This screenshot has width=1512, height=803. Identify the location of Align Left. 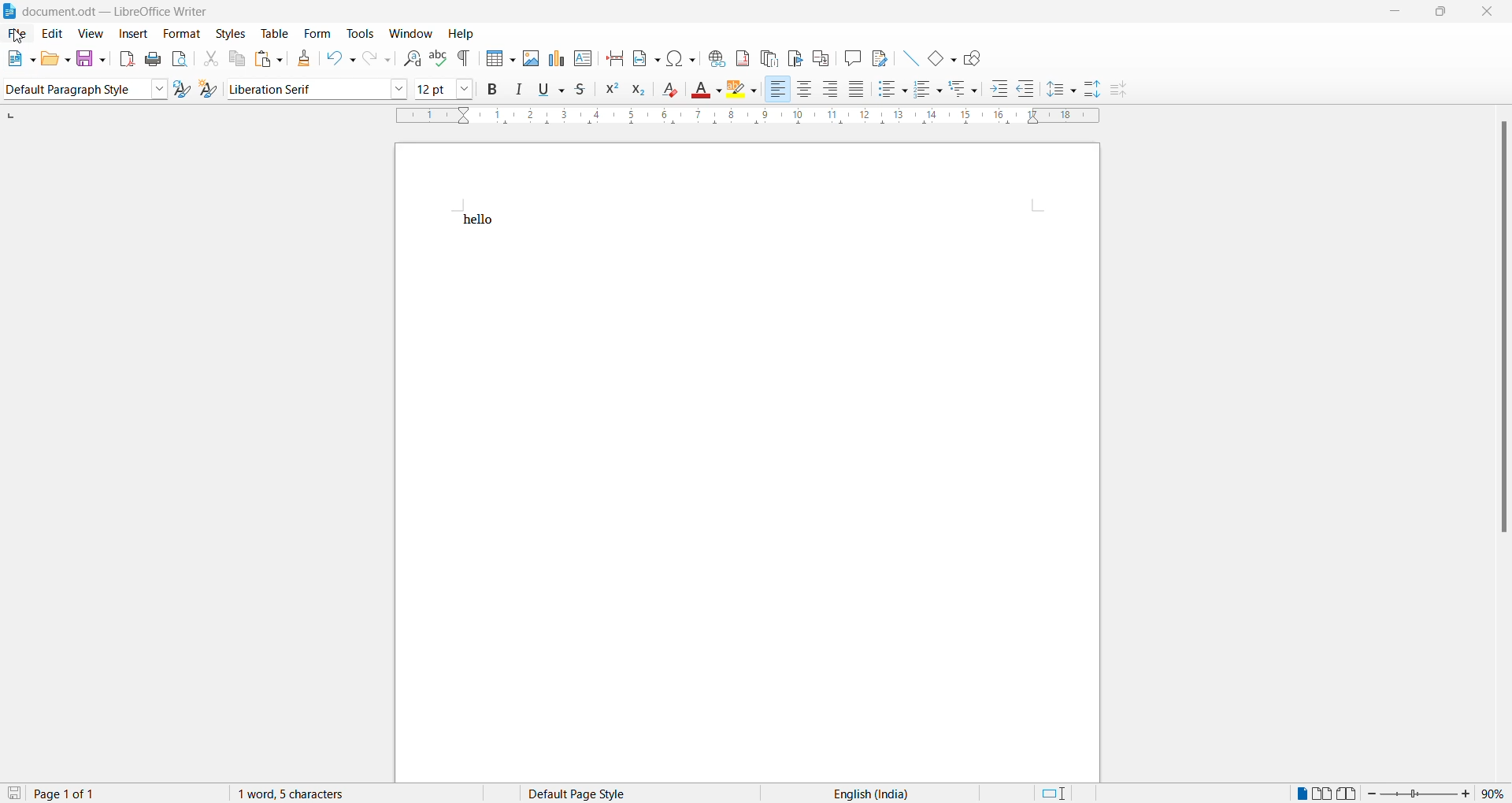
(777, 90).